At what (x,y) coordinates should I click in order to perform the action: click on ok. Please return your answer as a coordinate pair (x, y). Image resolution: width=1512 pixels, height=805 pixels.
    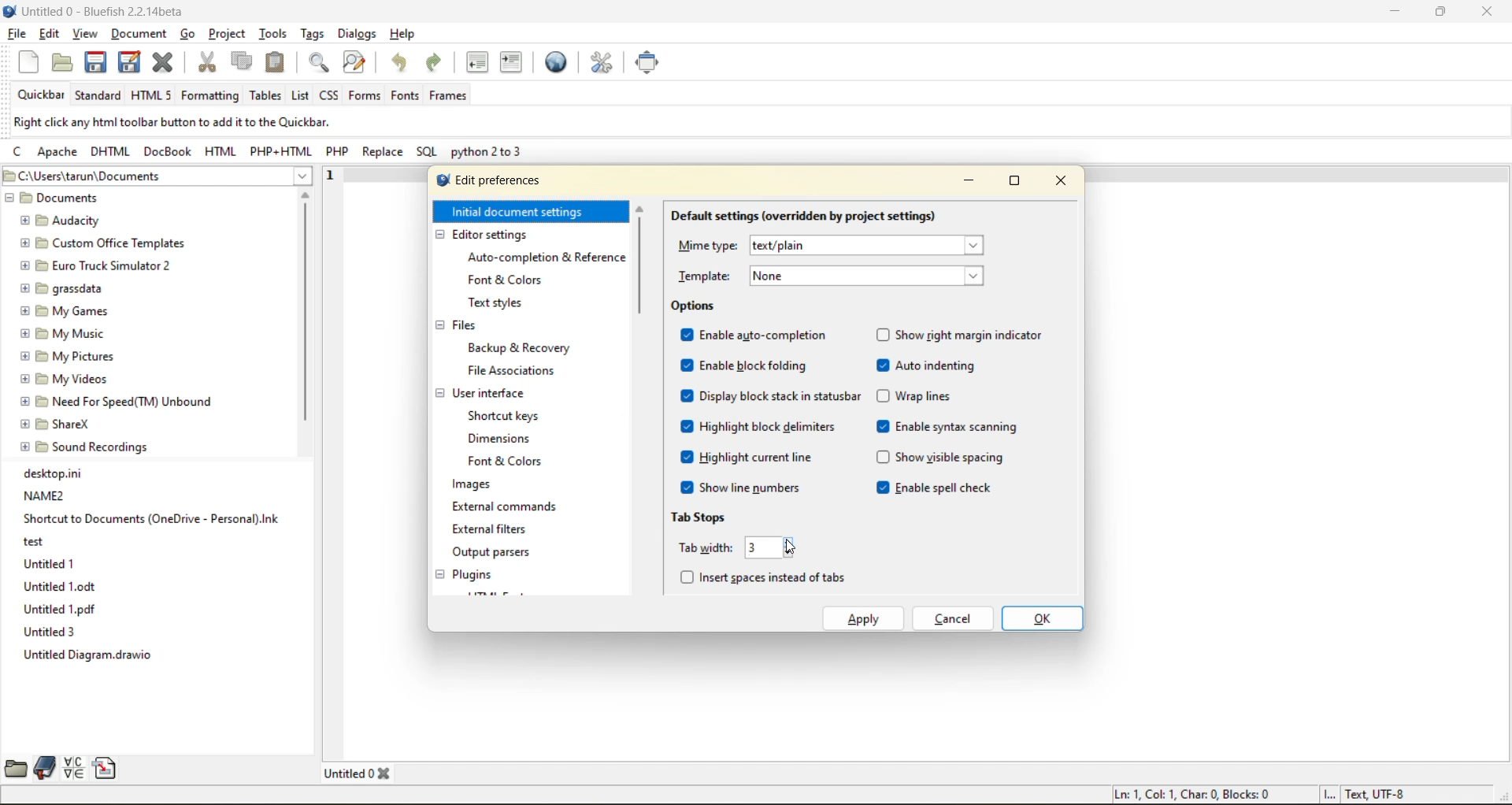
    Looking at the image, I should click on (1041, 618).